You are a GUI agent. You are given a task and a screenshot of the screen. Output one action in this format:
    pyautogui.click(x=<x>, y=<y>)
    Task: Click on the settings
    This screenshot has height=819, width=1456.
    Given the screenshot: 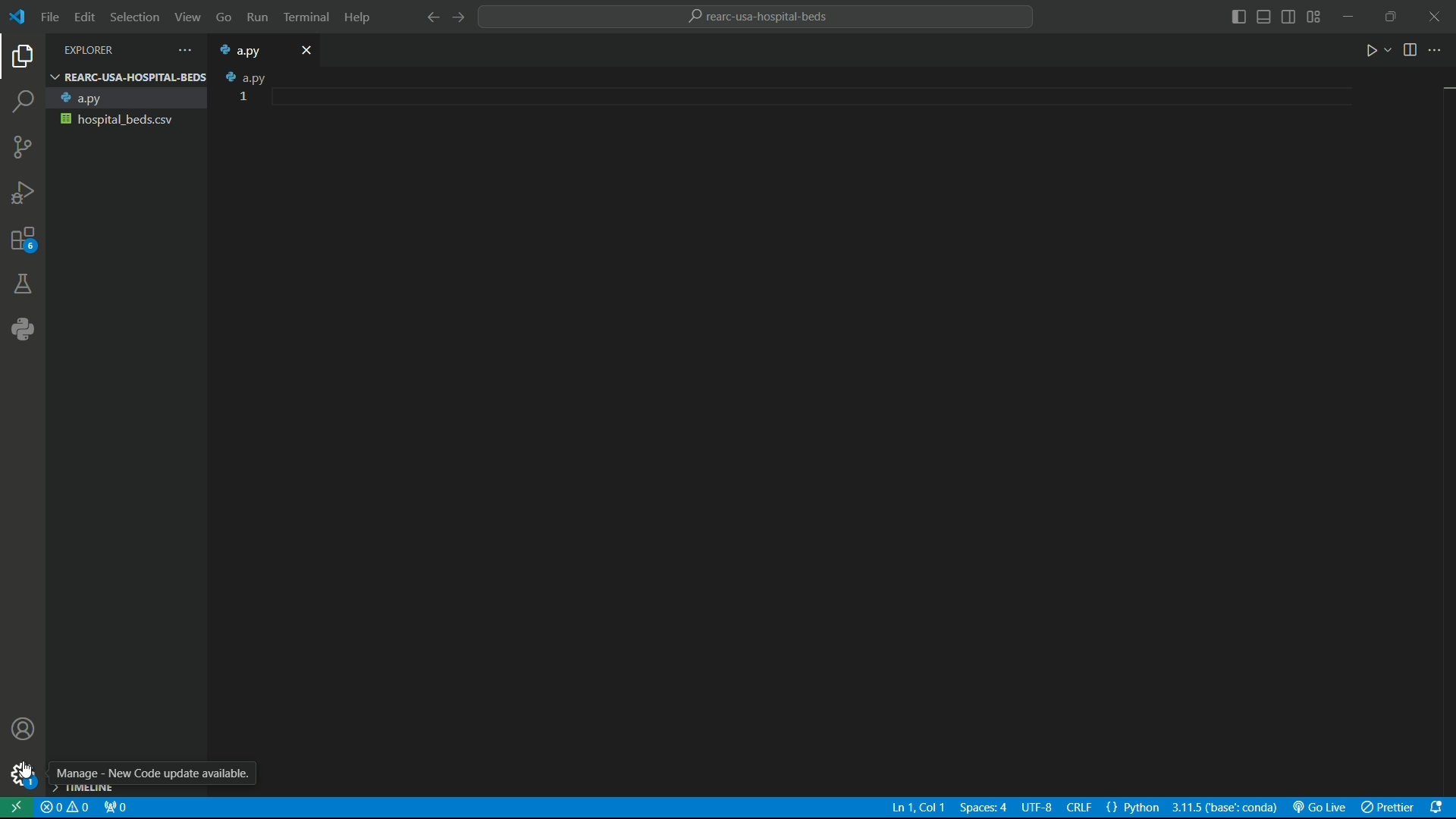 What is the action you would take?
    pyautogui.click(x=22, y=776)
    